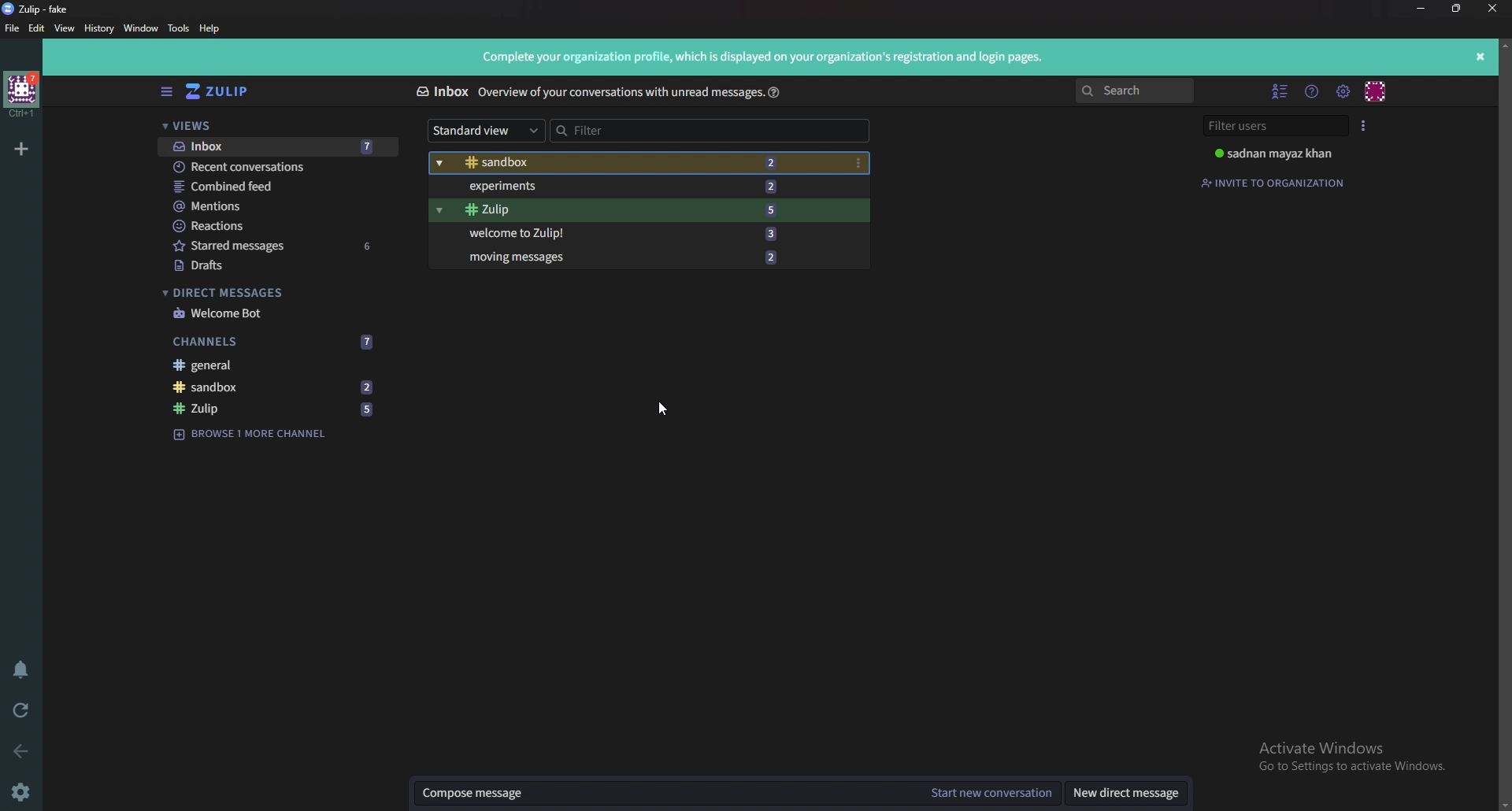 This screenshot has width=1512, height=811. I want to click on Zulip, so click(634, 210).